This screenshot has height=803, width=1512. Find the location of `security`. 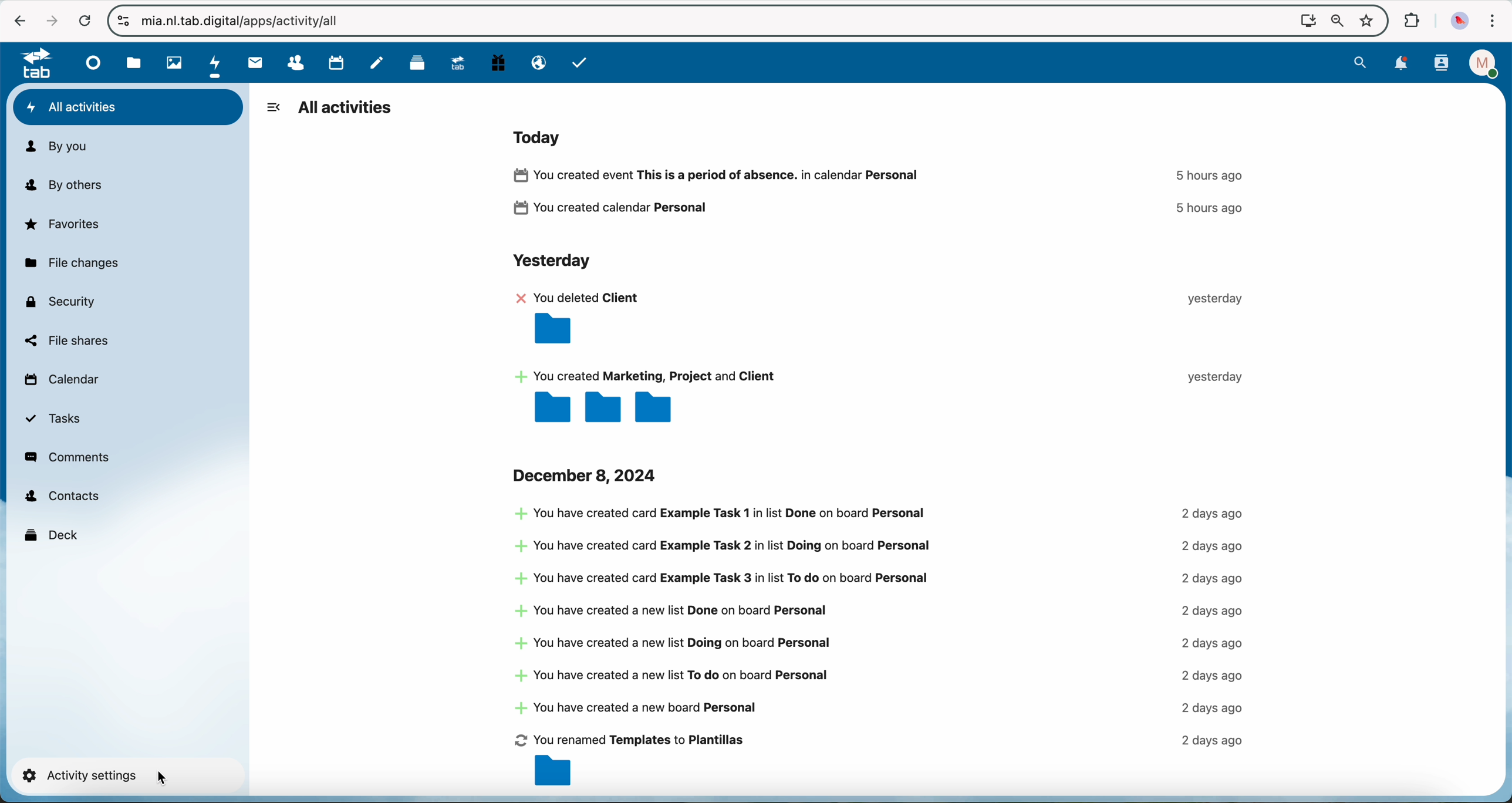

security is located at coordinates (59, 301).